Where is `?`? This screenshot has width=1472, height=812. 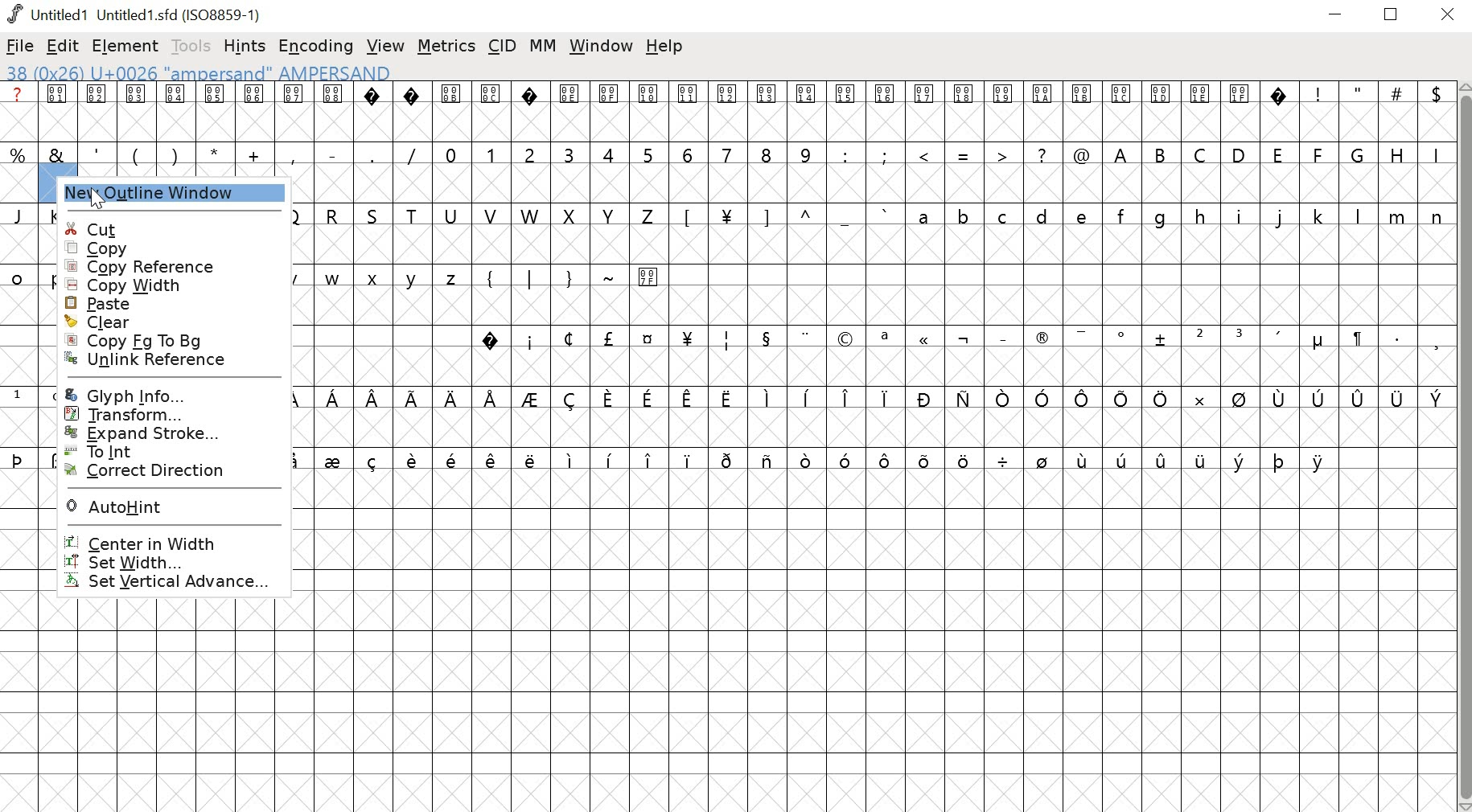
? is located at coordinates (413, 112).